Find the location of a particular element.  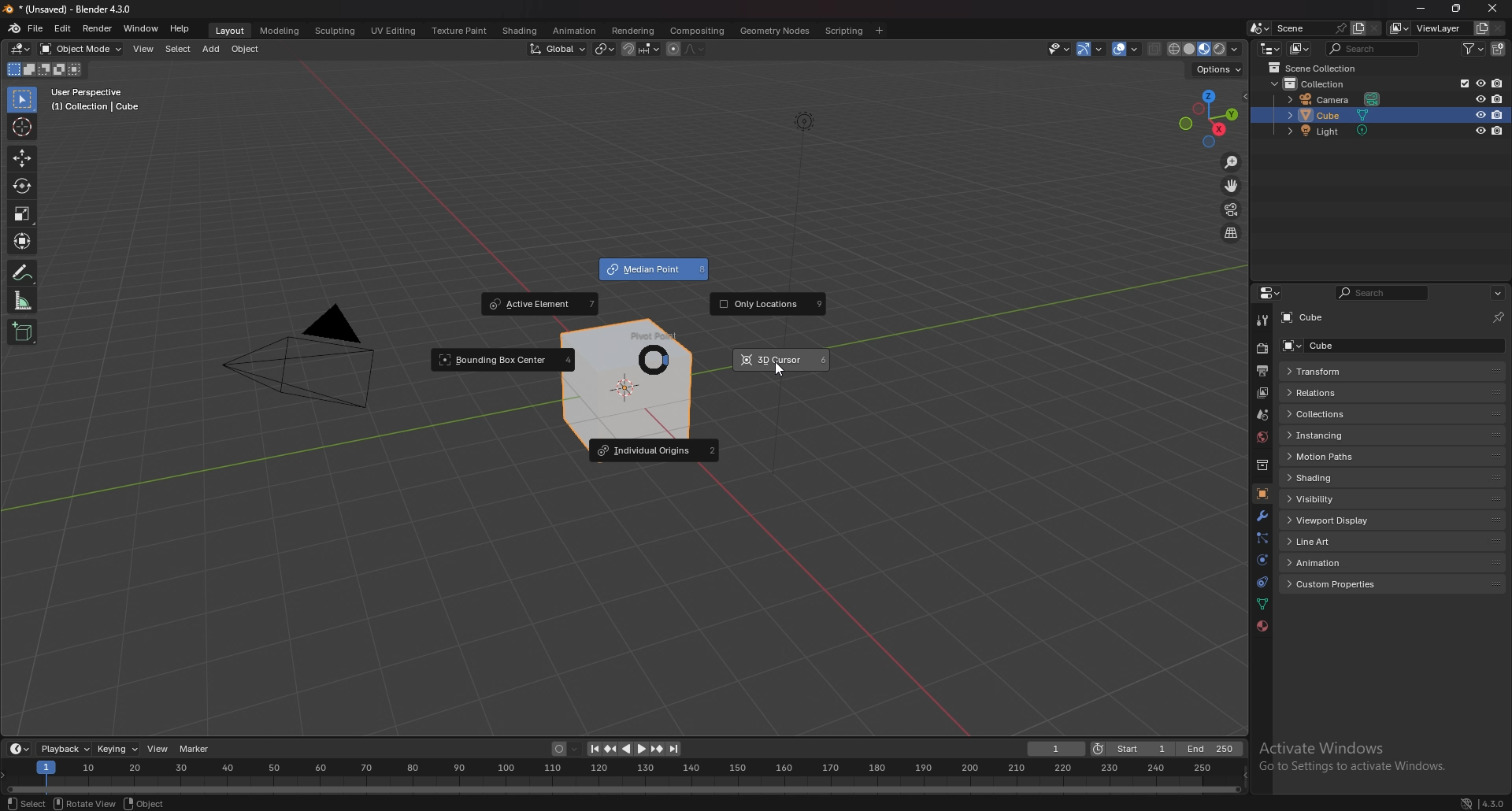

transform is located at coordinates (21, 239).